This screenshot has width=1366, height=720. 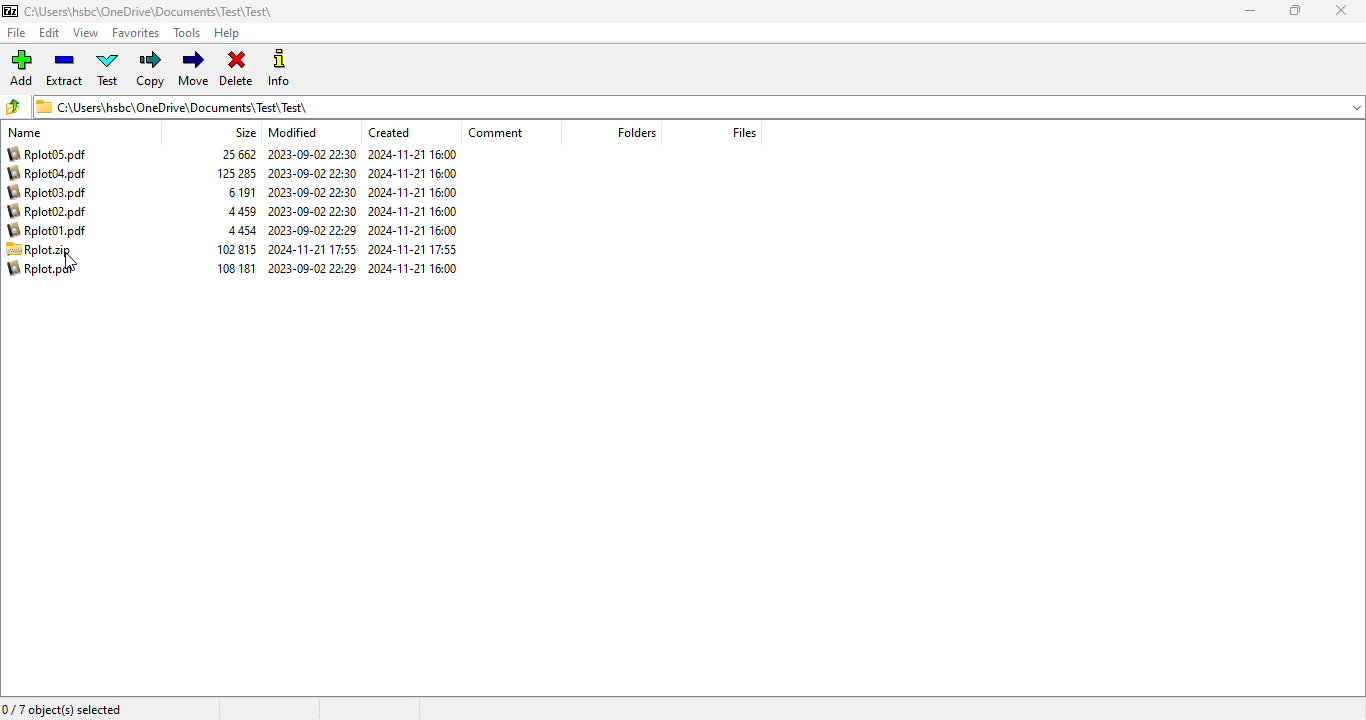 What do you see at coordinates (177, 106) in the screenshot?
I see `C:\Users\hsbc\OneDrive\Documents\ Test\ Test\` at bounding box center [177, 106].